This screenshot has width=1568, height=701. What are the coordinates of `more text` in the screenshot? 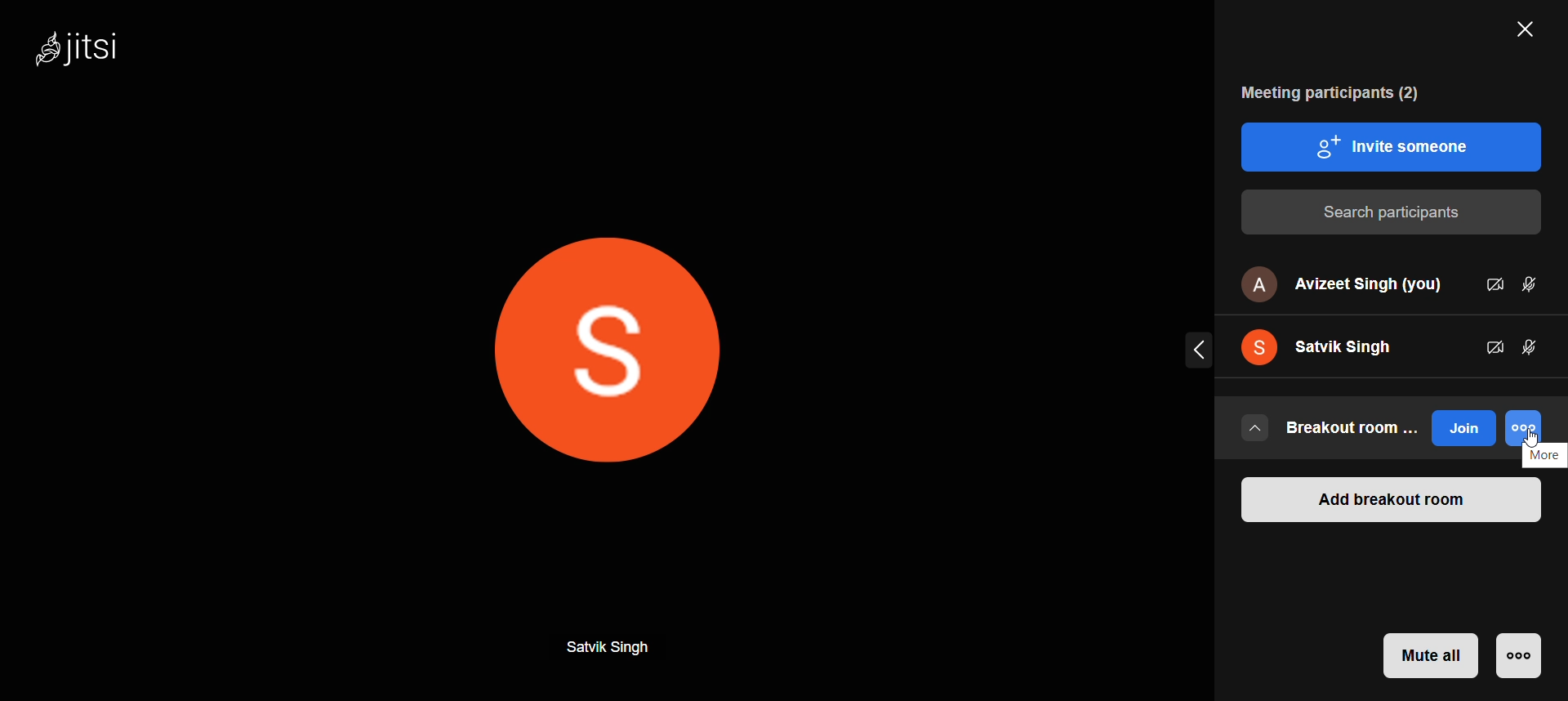 It's located at (1546, 457).